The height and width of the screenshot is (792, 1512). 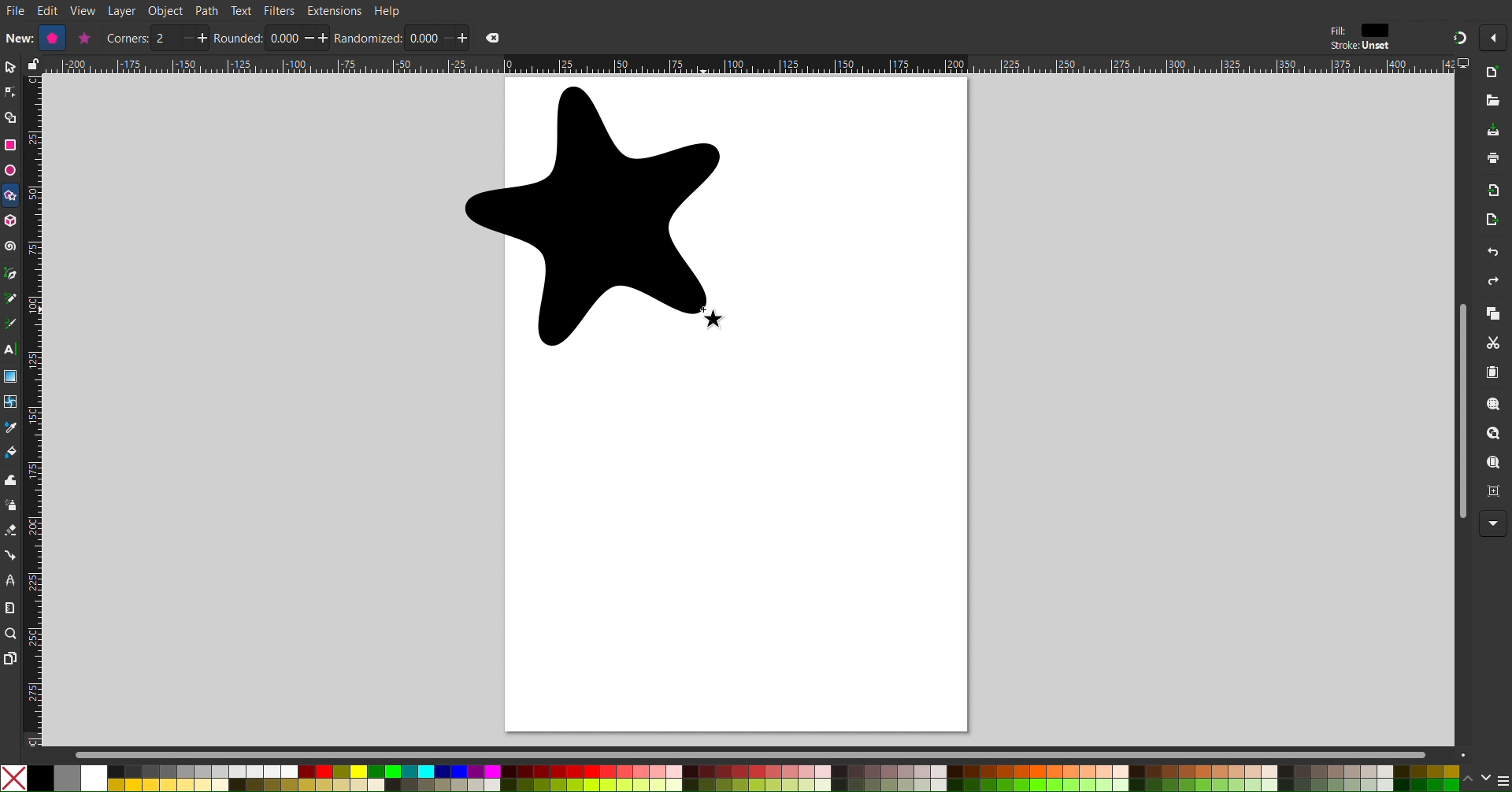 I want to click on Spiral, so click(x=11, y=246).